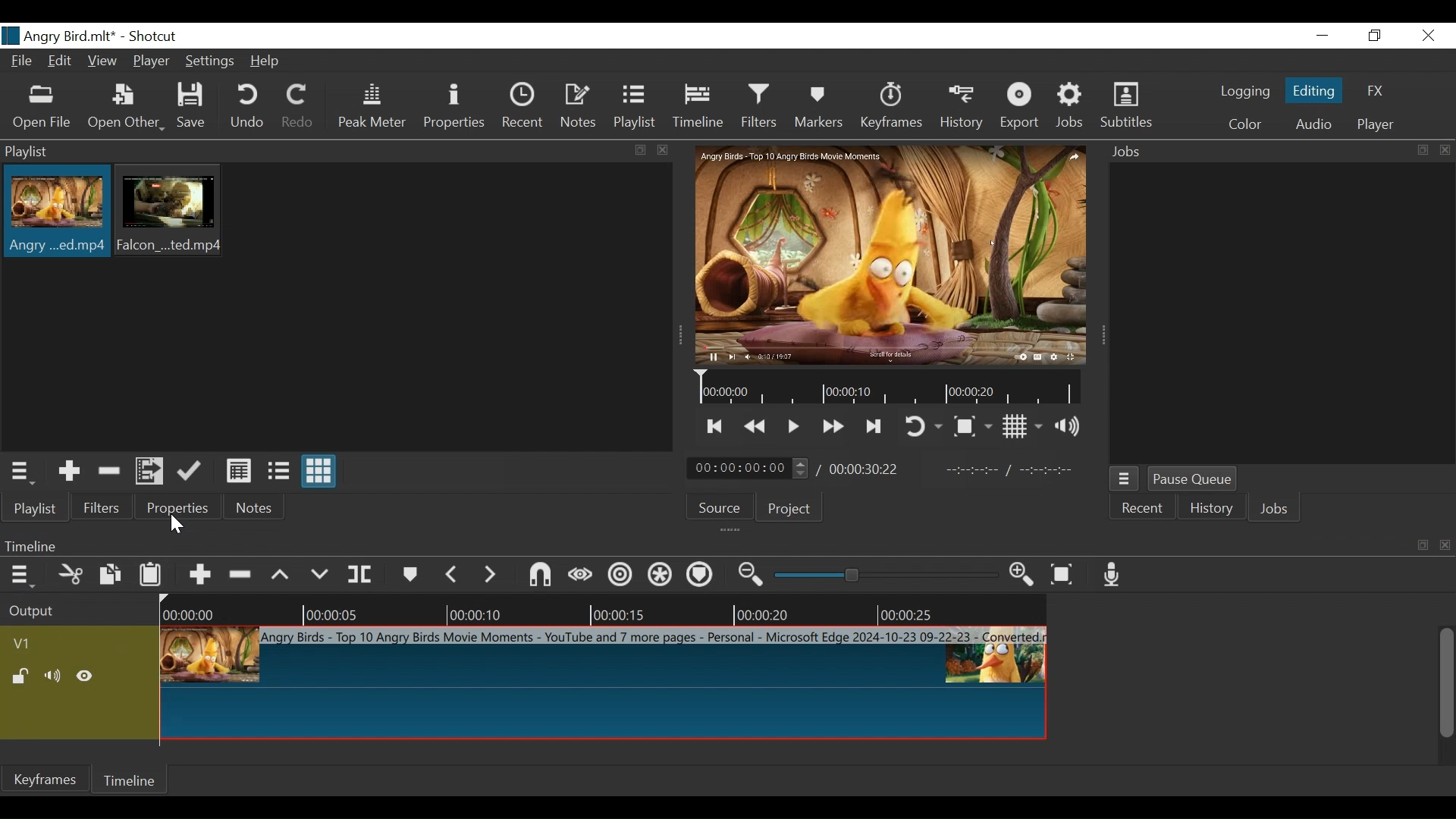 The height and width of the screenshot is (819, 1456). Describe the element at coordinates (762, 108) in the screenshot. I see `Filters` at that location.